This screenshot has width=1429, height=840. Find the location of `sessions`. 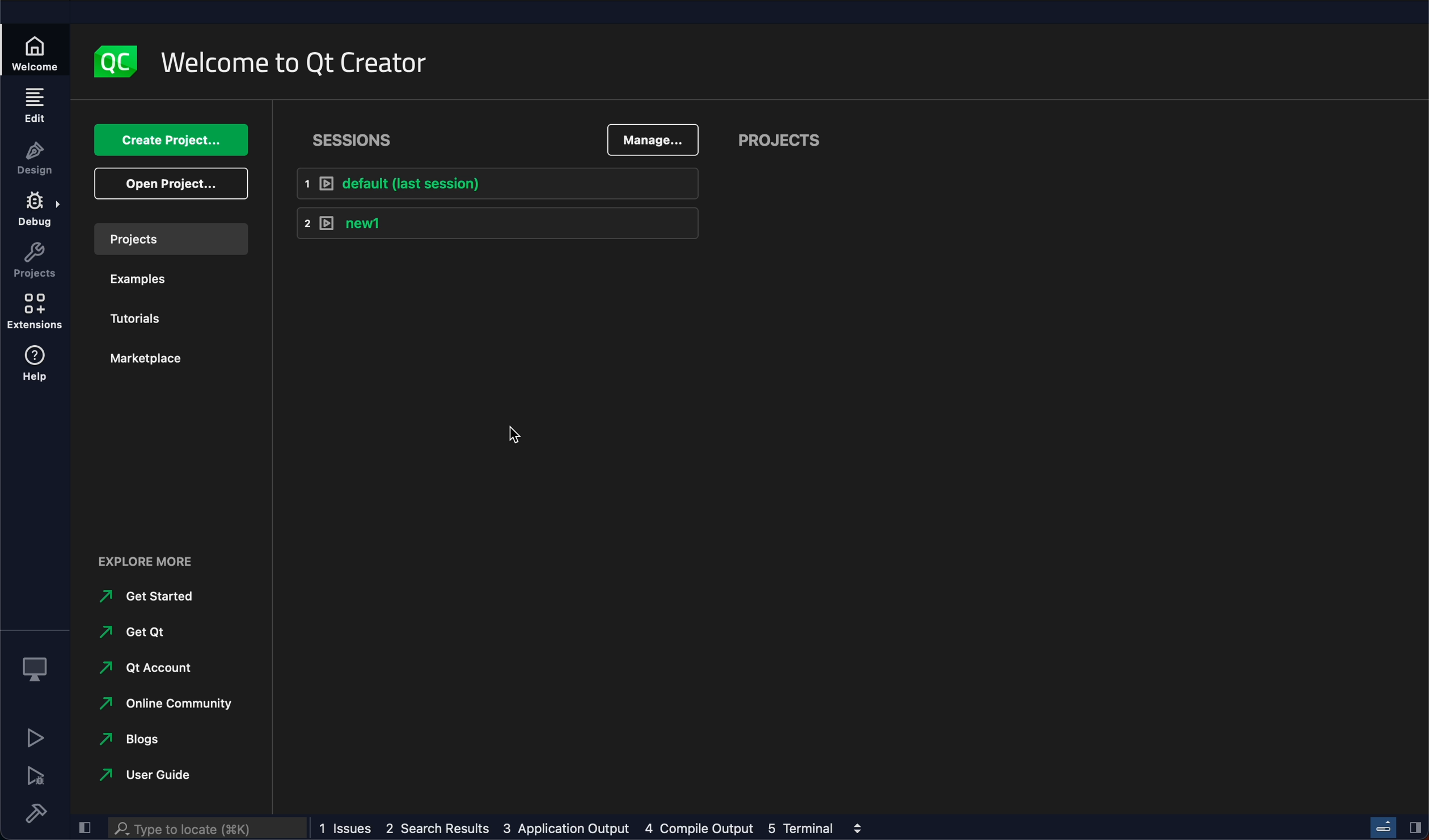

sessions is located at coordinates (366, 137).